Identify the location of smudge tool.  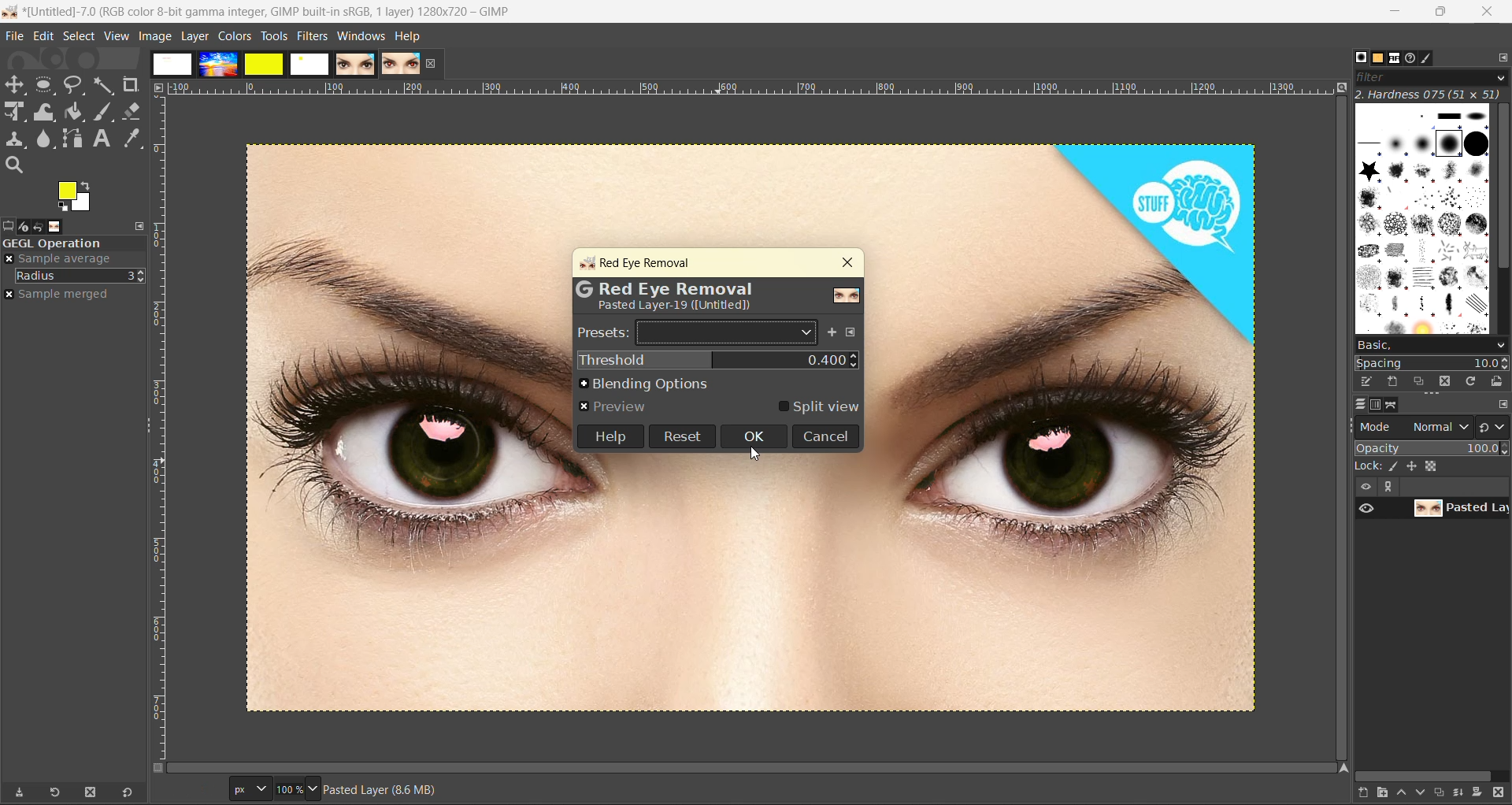
(45, 139).